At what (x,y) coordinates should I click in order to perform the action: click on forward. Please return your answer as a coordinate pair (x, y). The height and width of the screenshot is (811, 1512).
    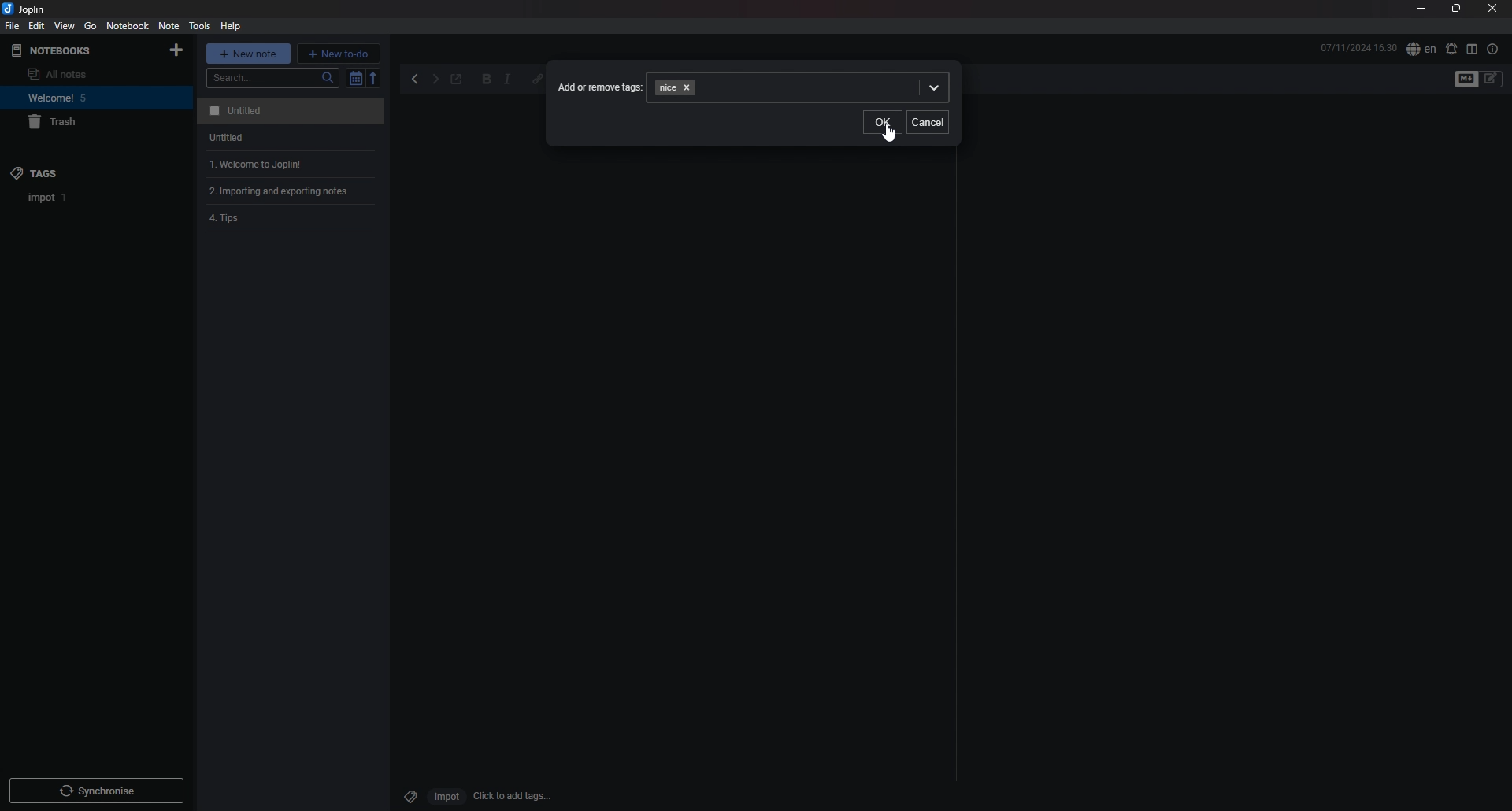
    Looking at the image, I should click on (435, 81).